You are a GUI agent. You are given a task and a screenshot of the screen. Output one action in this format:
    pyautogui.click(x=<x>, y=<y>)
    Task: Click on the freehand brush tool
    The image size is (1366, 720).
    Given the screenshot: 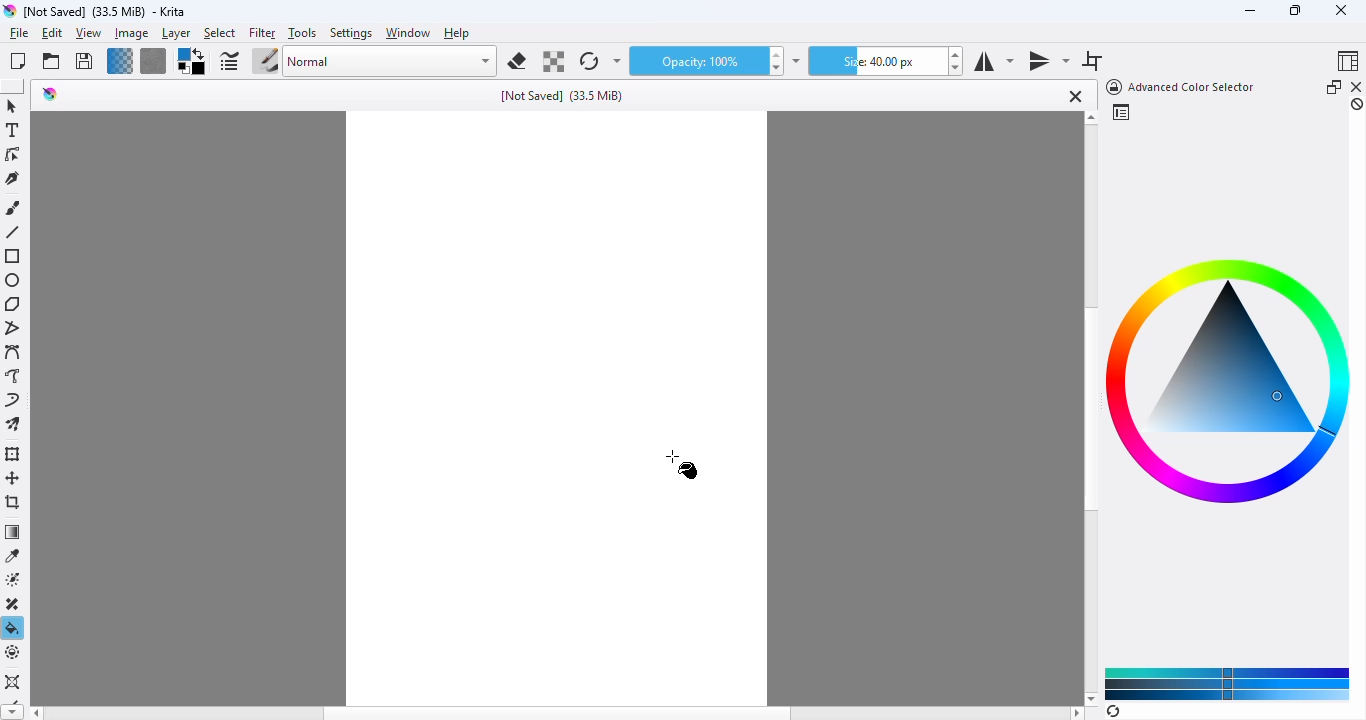 What is the action you would take?
    pyautogui.click(x=14, y=208)
    